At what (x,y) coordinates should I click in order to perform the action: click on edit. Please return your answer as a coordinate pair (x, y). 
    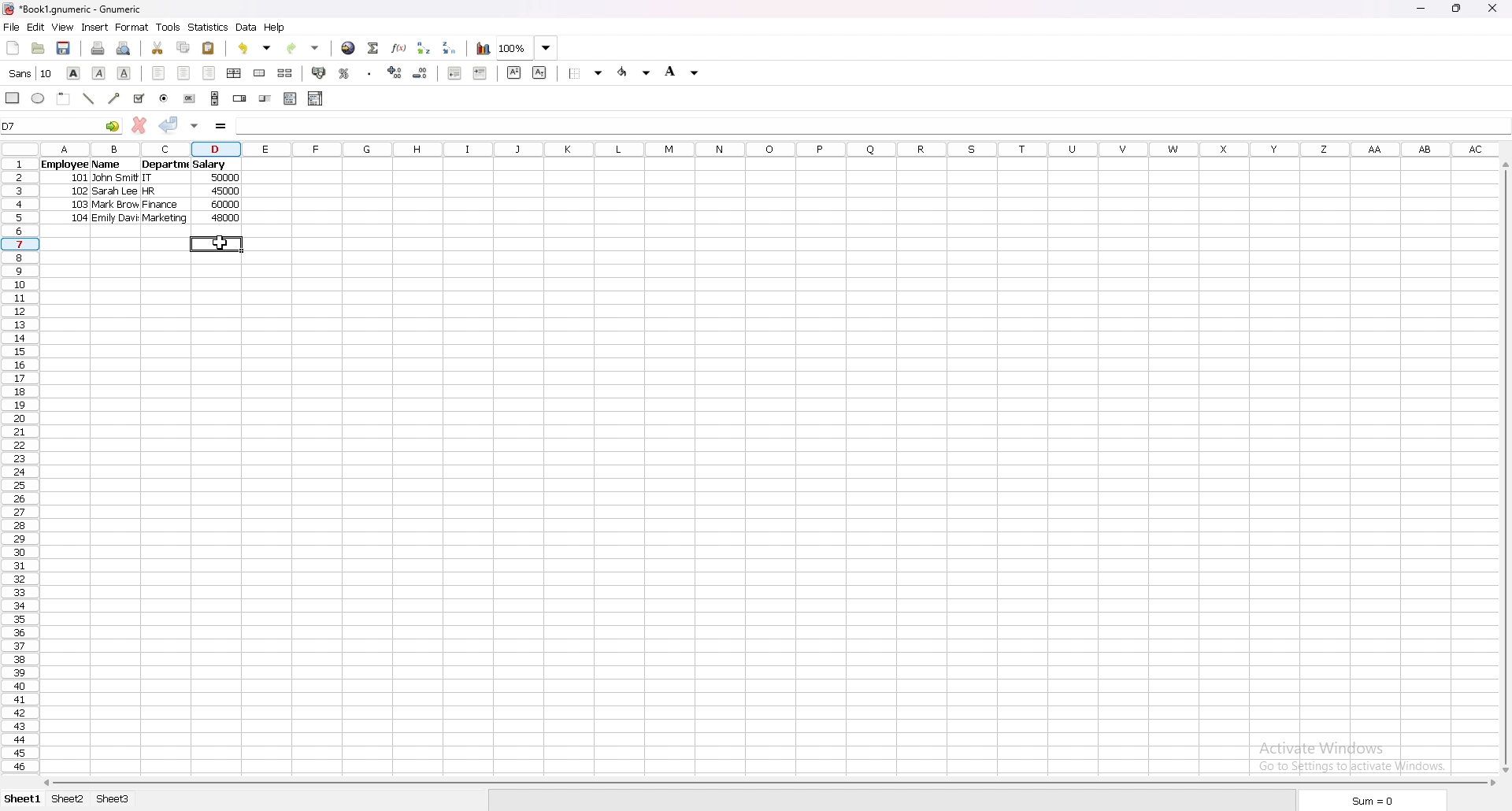
    Looking at the image, I should click on (36, 27).